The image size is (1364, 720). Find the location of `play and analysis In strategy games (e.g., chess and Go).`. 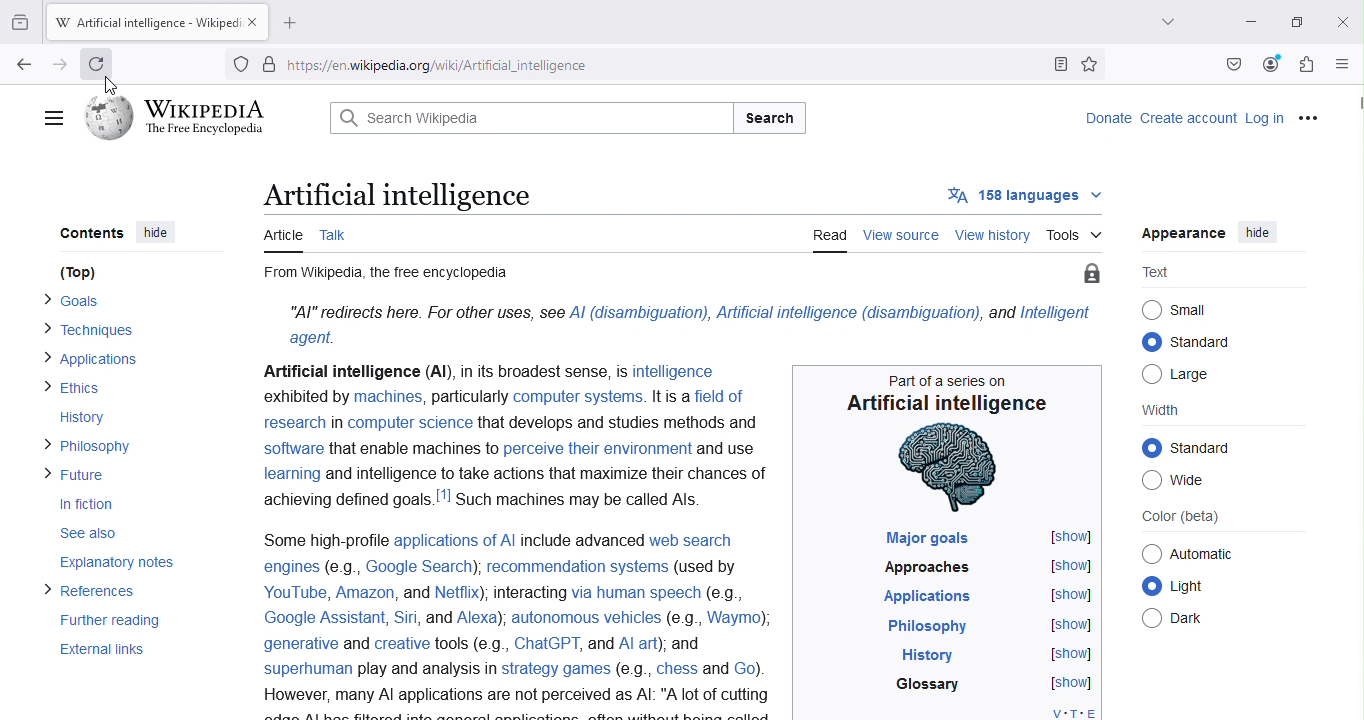

play and analysis In strategy games (e.g., chess and Go). is located at coordinates (565, 671).